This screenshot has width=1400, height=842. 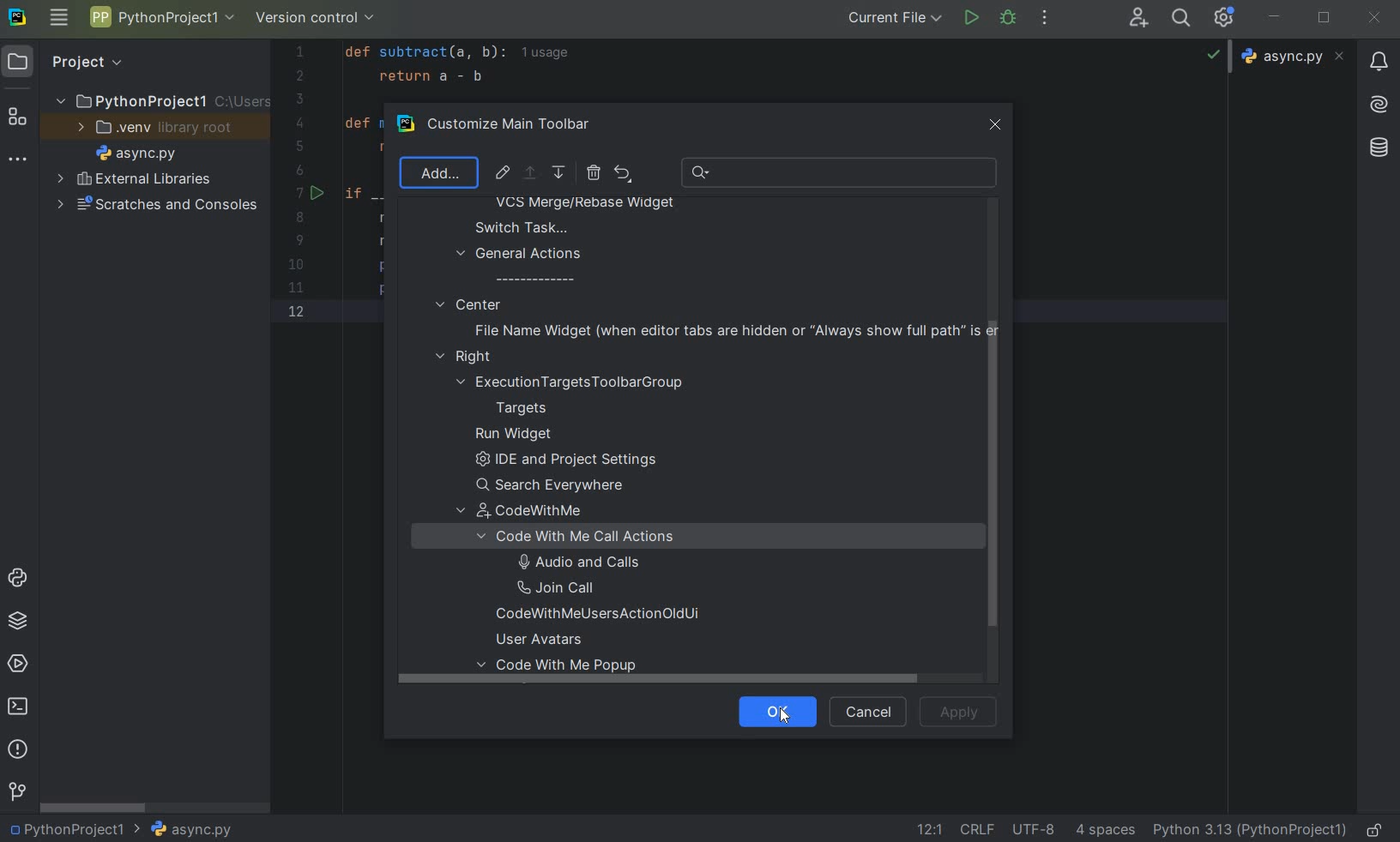 I want to click on MOVE DOWN, so click(x=560, y=173).